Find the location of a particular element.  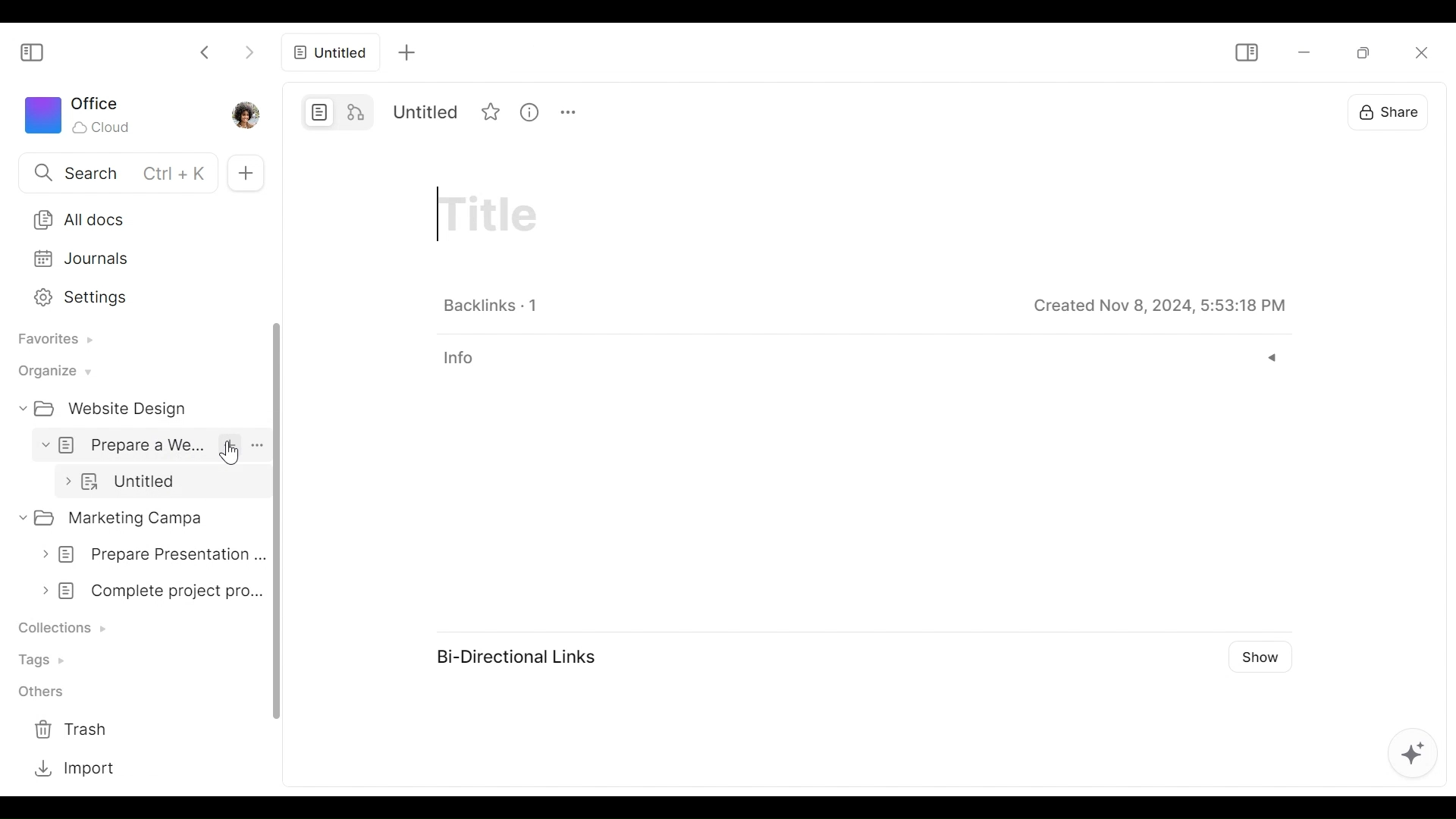

Add new tab is located at coordinates (406, 53).